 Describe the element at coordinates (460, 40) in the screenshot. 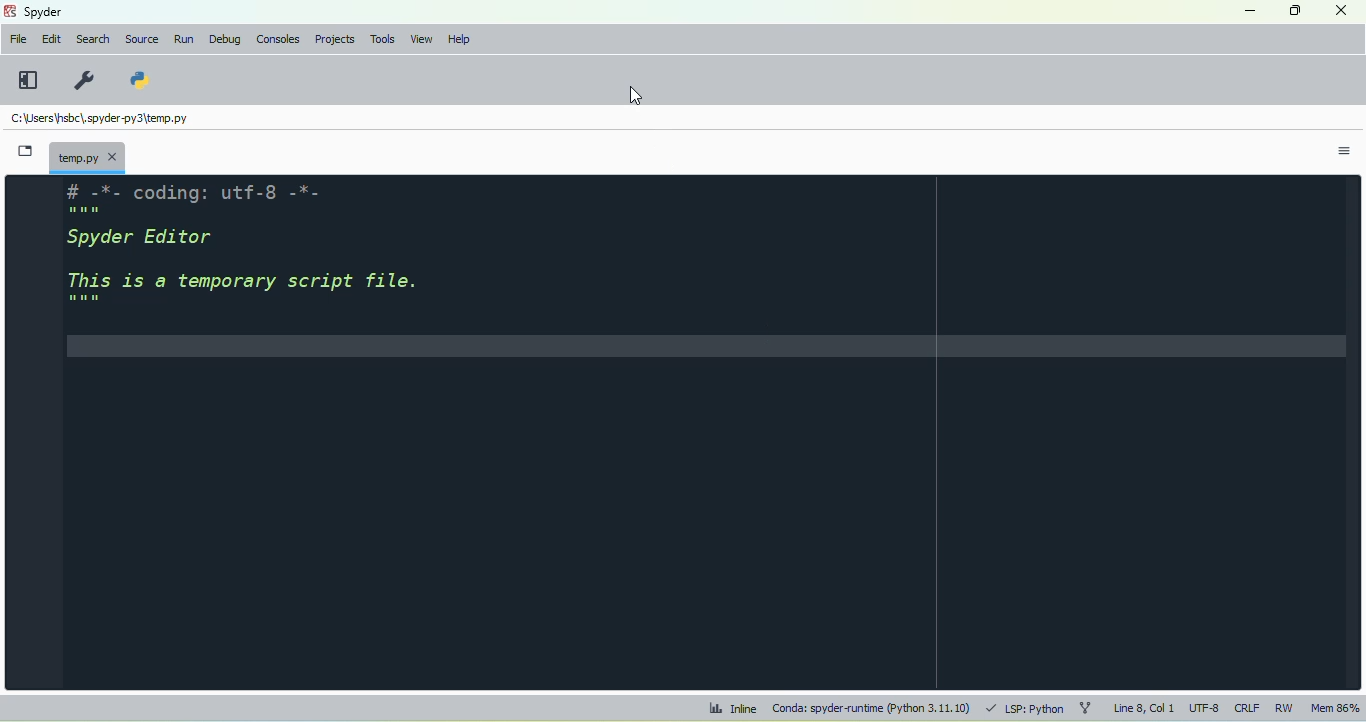

I see `help` at that location.